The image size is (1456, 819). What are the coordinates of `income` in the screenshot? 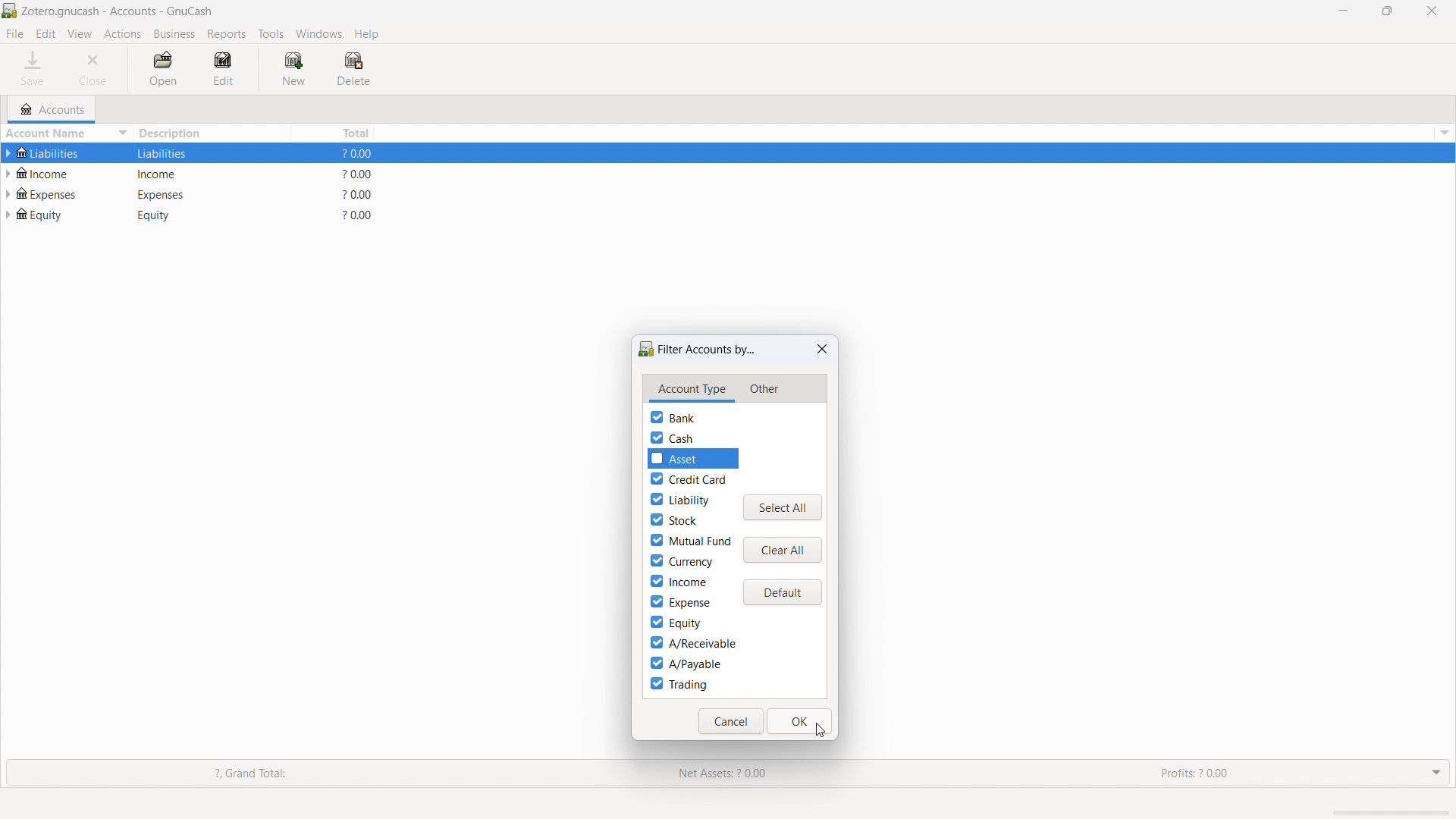 It's located at (679, 581).